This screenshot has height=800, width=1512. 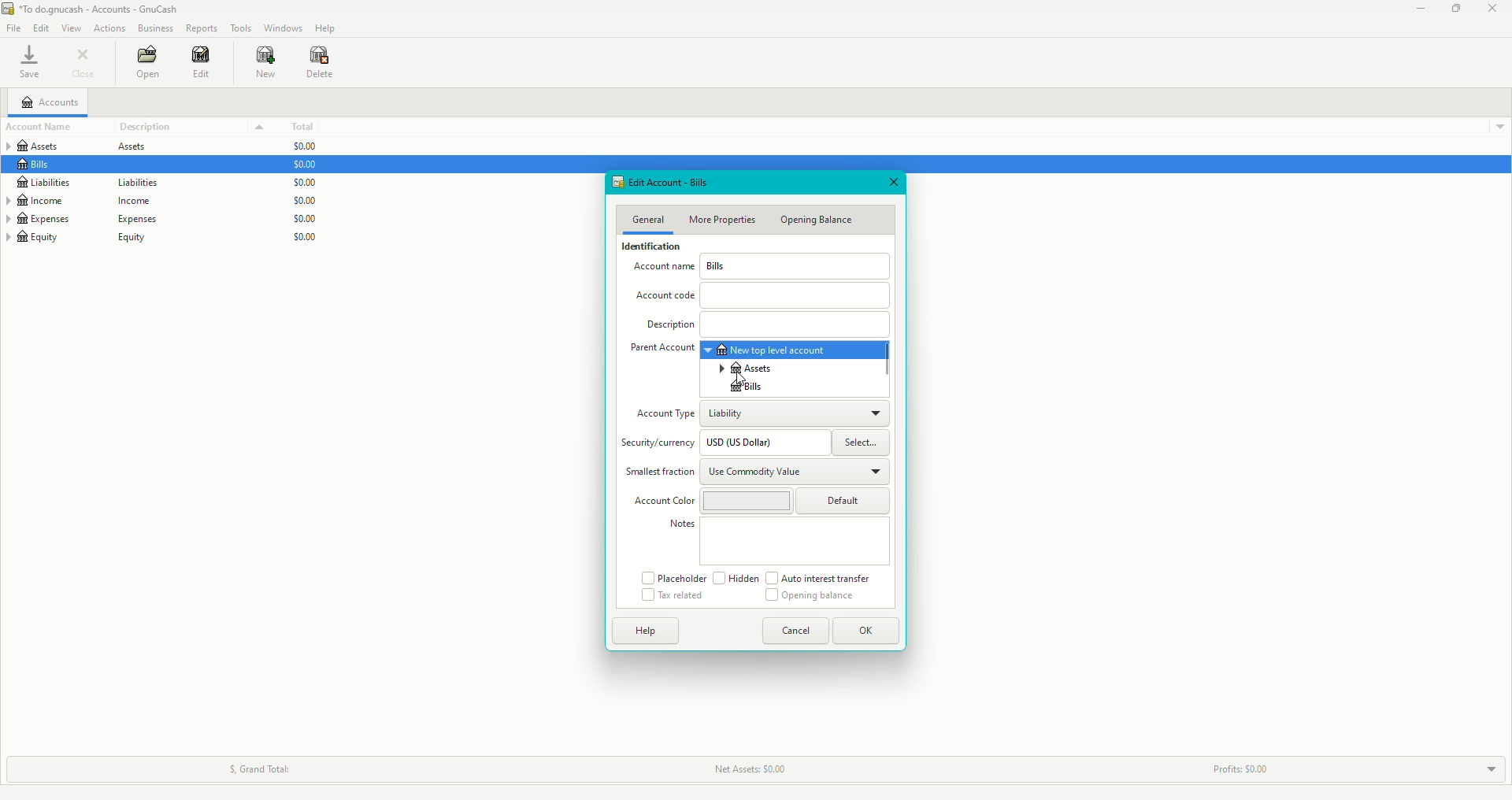 I want to click on Drop down menu, so click(x=1495, y=124).